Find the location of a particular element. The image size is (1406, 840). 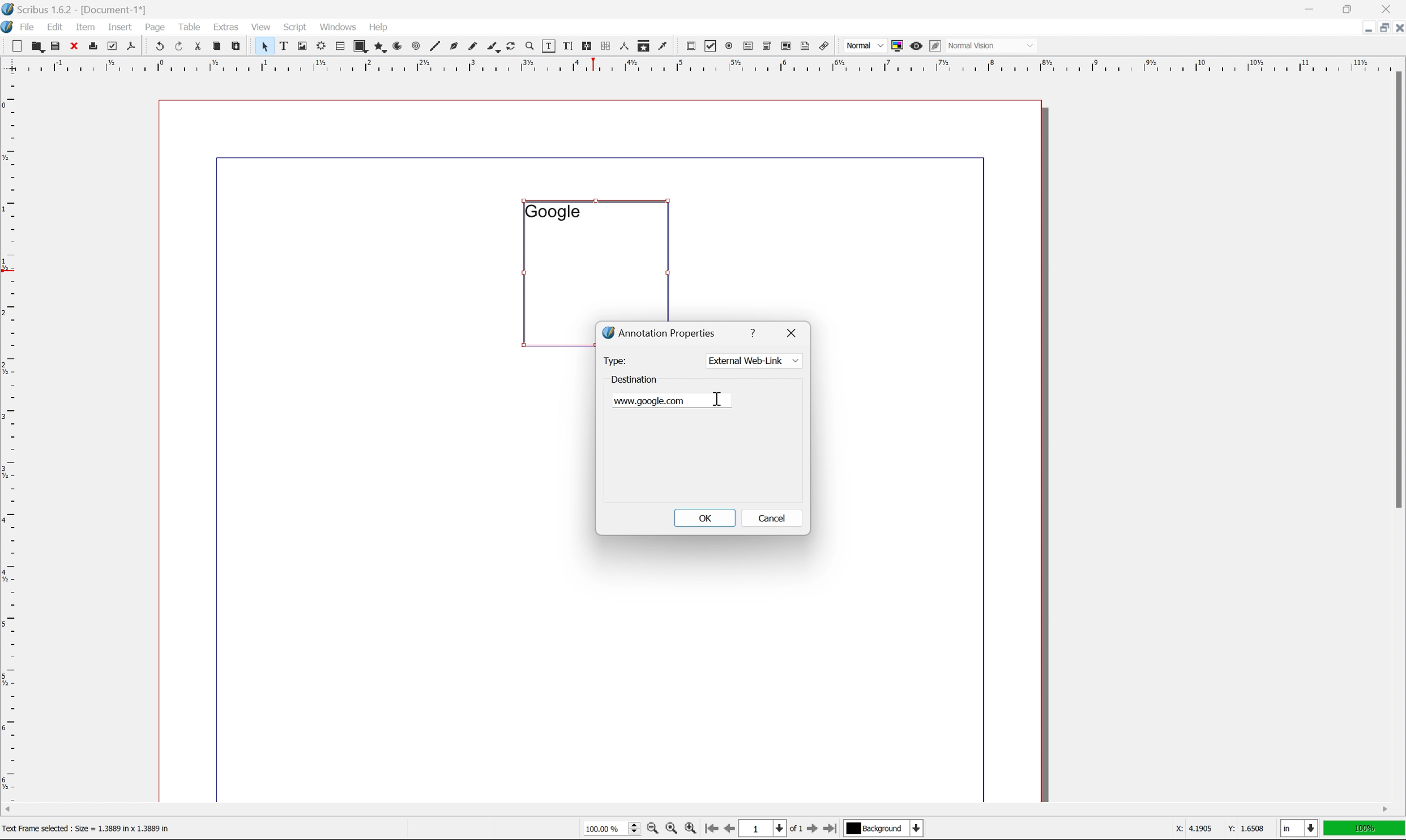

text frame selected; size = 1.3889 in x 1.3889 in is located at coordinates (87, 828).